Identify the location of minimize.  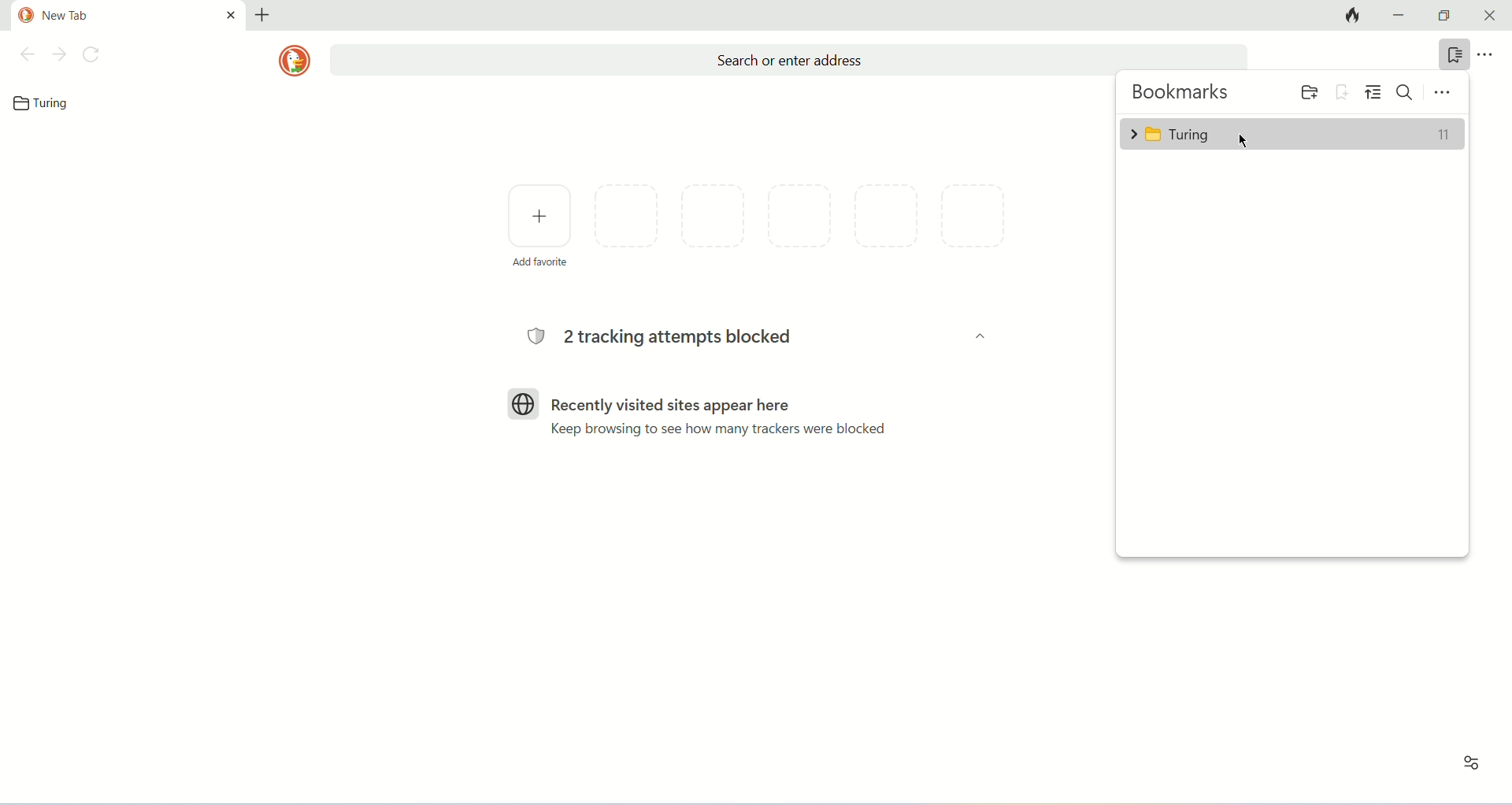
(1400, 16).